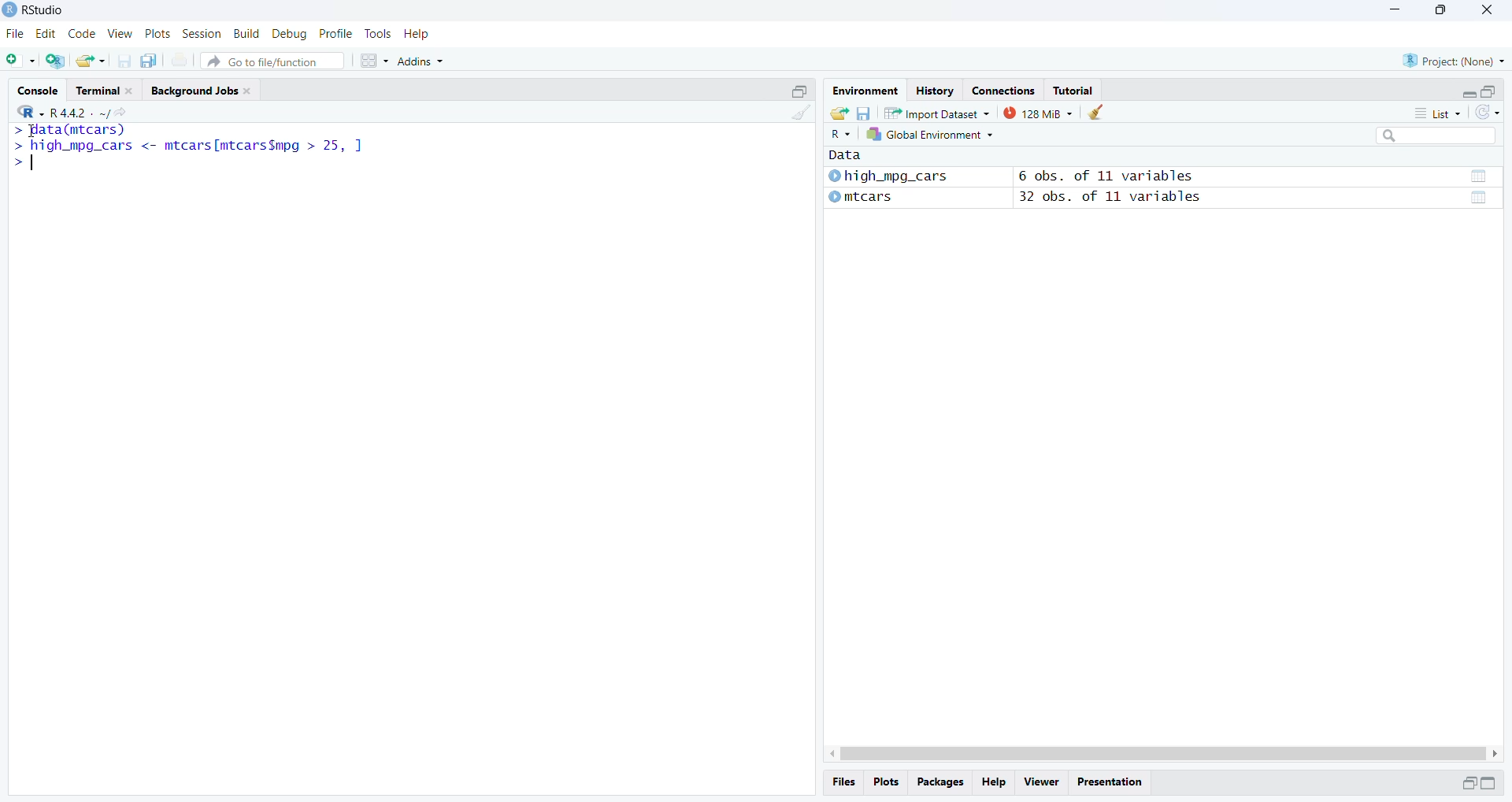 This screenshot has width=1512, height=802. What do you see at coordinates (855, 154) in the screenshot?
I see `data` at bounding box center [855, 154].